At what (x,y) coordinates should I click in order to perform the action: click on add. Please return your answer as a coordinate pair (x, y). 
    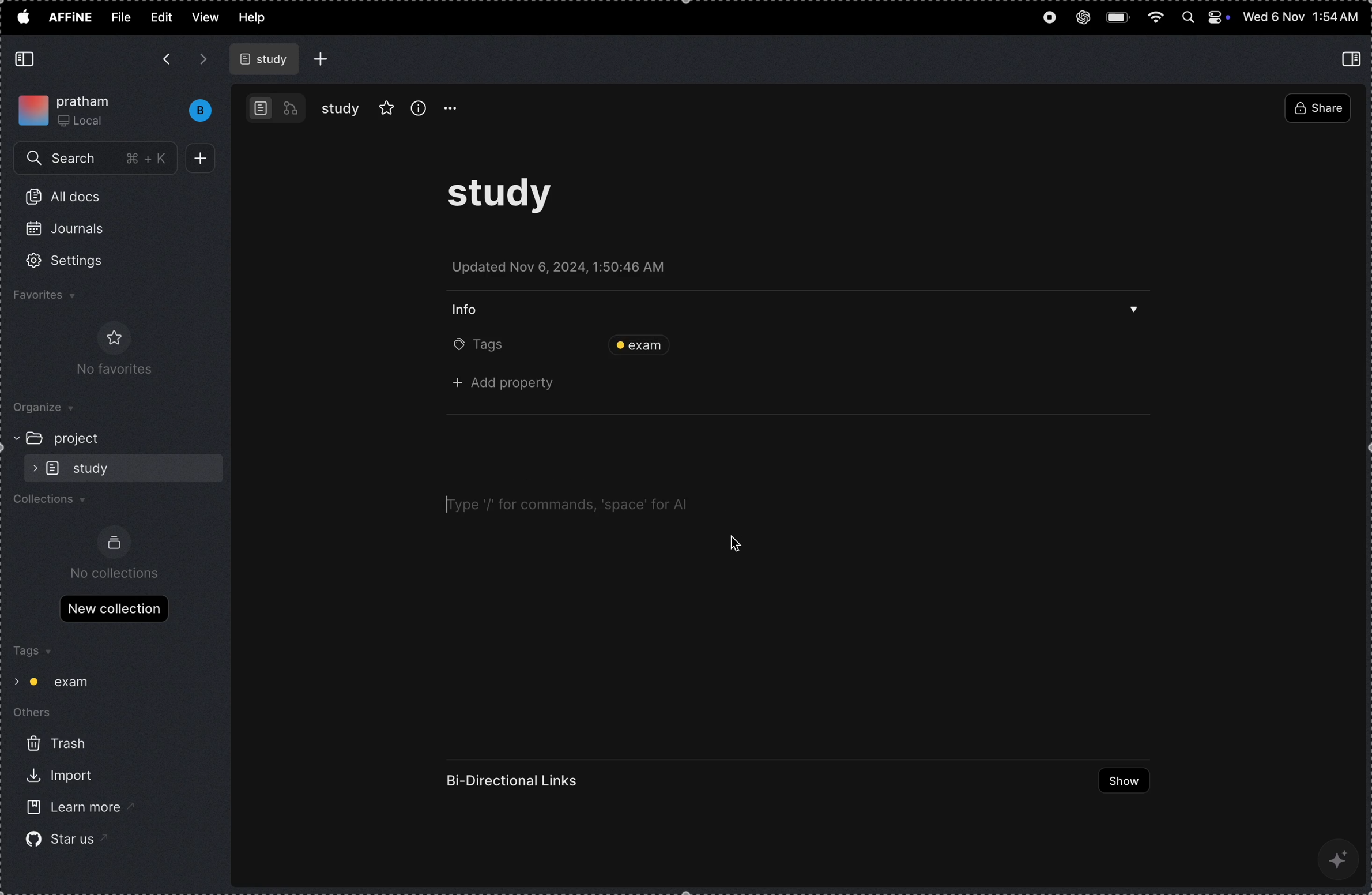
    Looking at the image, I should click on (205, 159).